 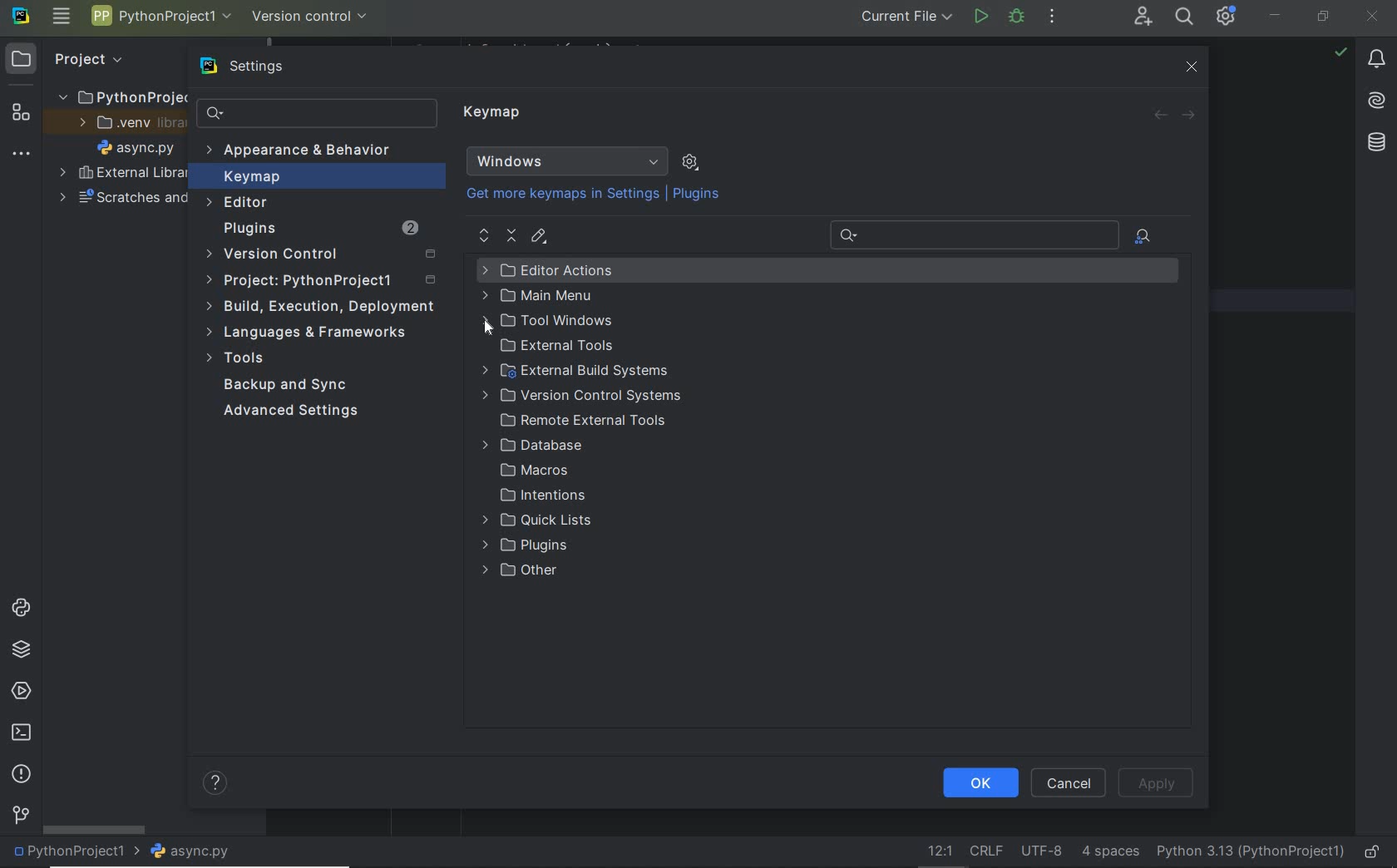 I want to click on file name, so click(x=190, y=852).